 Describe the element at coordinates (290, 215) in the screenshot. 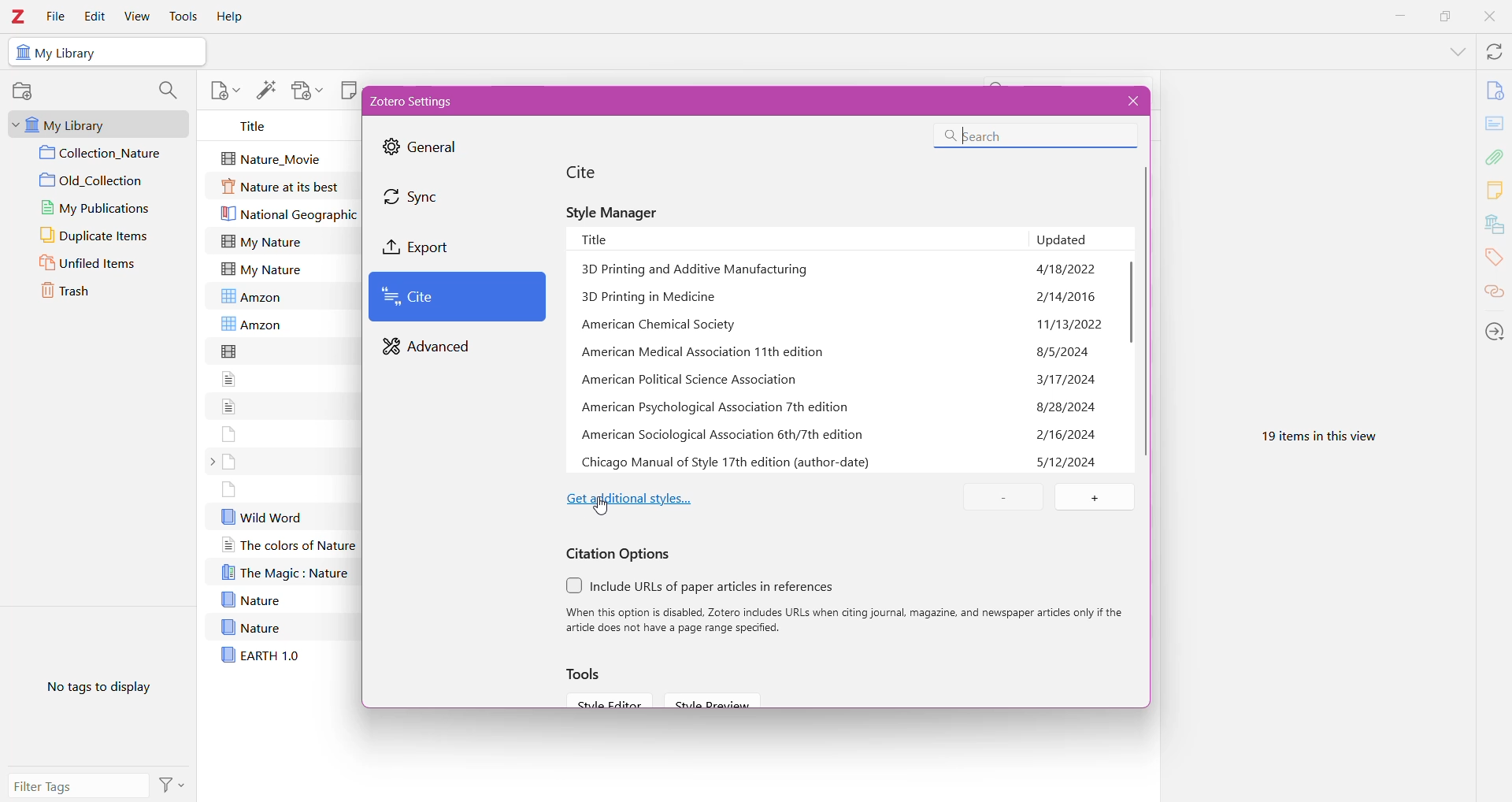

I see `National Geographic` at that location.